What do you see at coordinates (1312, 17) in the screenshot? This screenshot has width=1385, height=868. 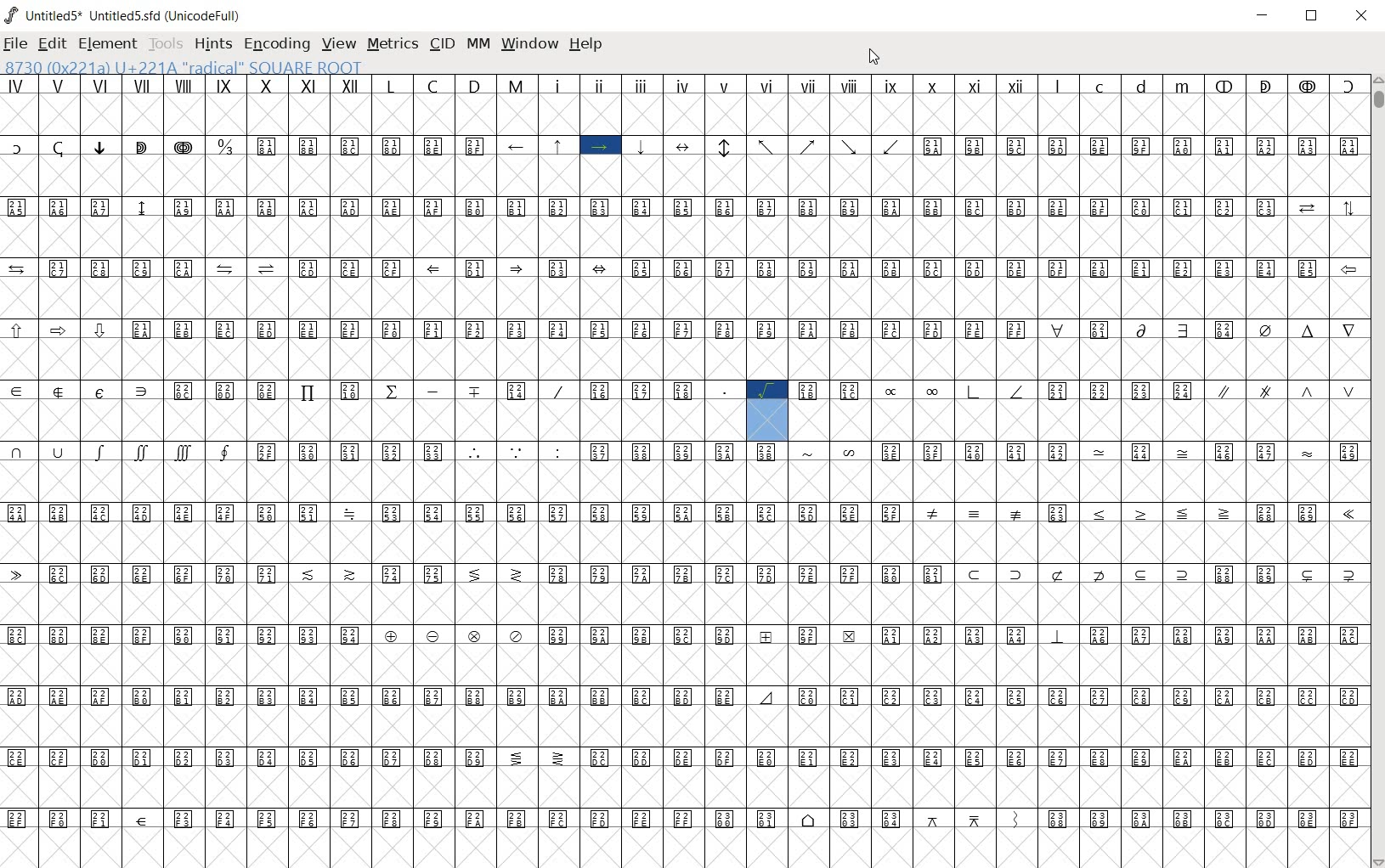 I see `RESTORE DWON` at bounding box center [1312, 17].